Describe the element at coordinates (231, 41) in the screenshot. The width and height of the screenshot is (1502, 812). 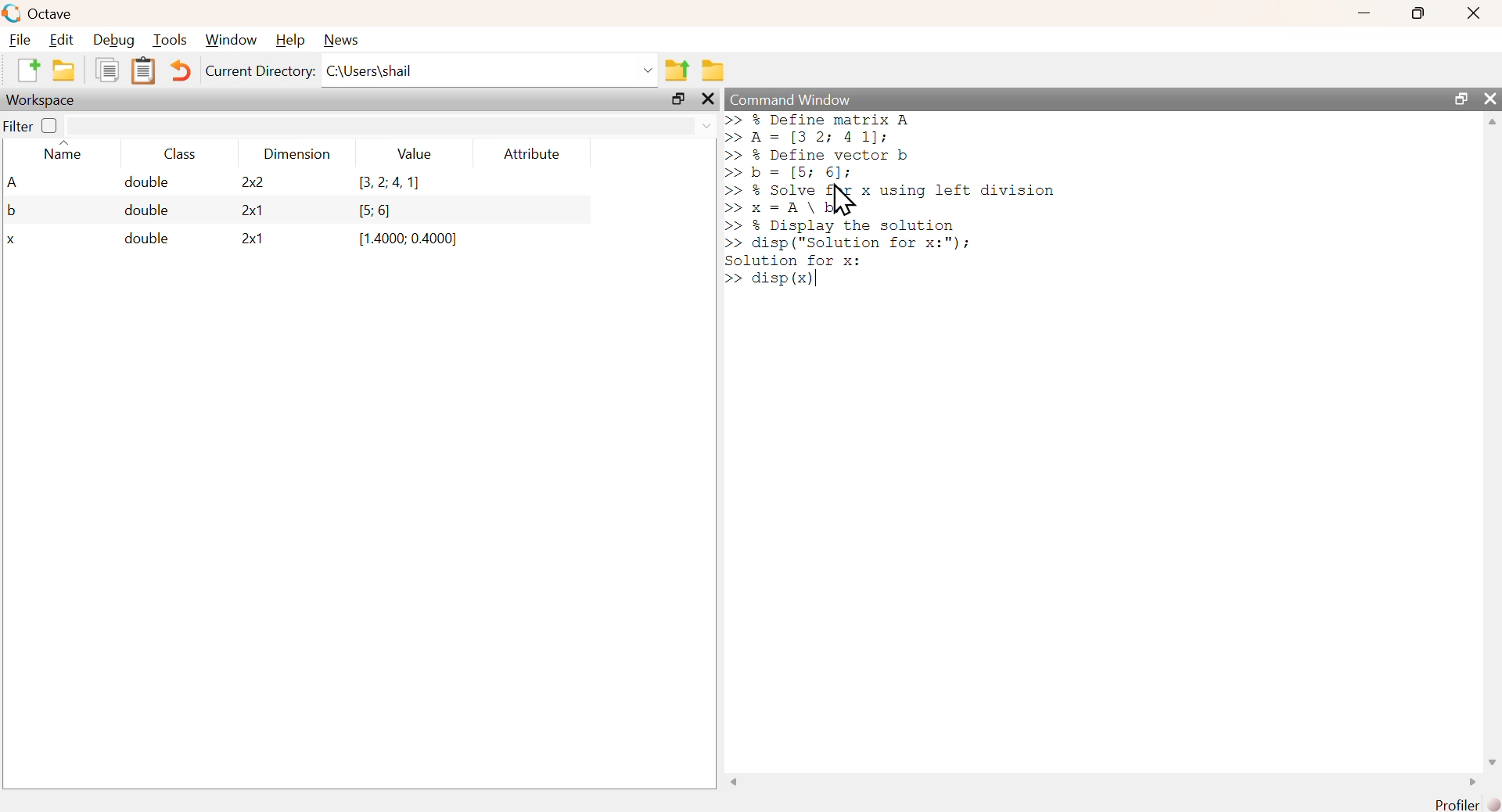
I see `window` at that location.